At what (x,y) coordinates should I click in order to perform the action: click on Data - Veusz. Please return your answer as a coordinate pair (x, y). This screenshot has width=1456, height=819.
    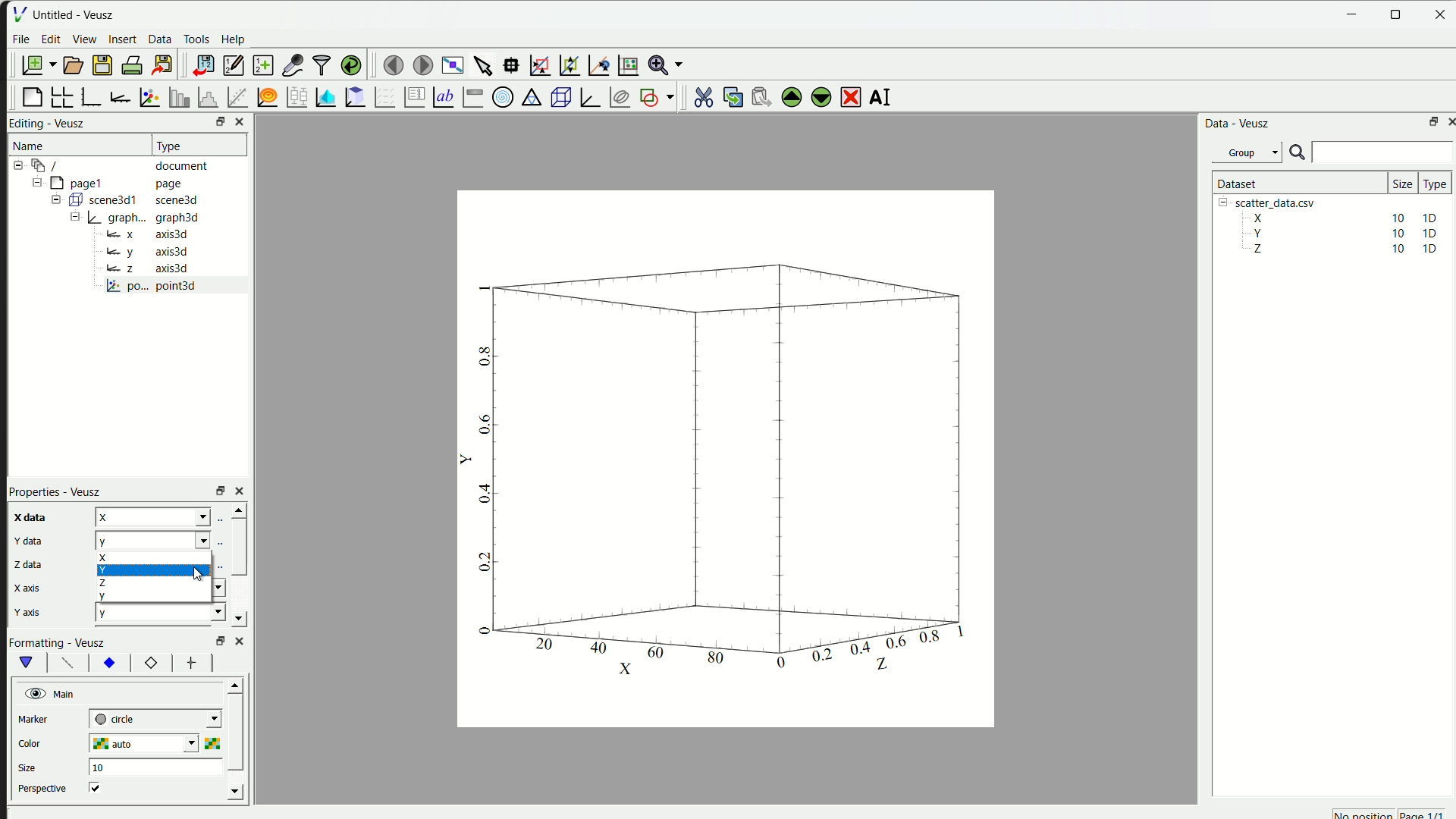
    Looking at the image, I should click on (1235, 124).